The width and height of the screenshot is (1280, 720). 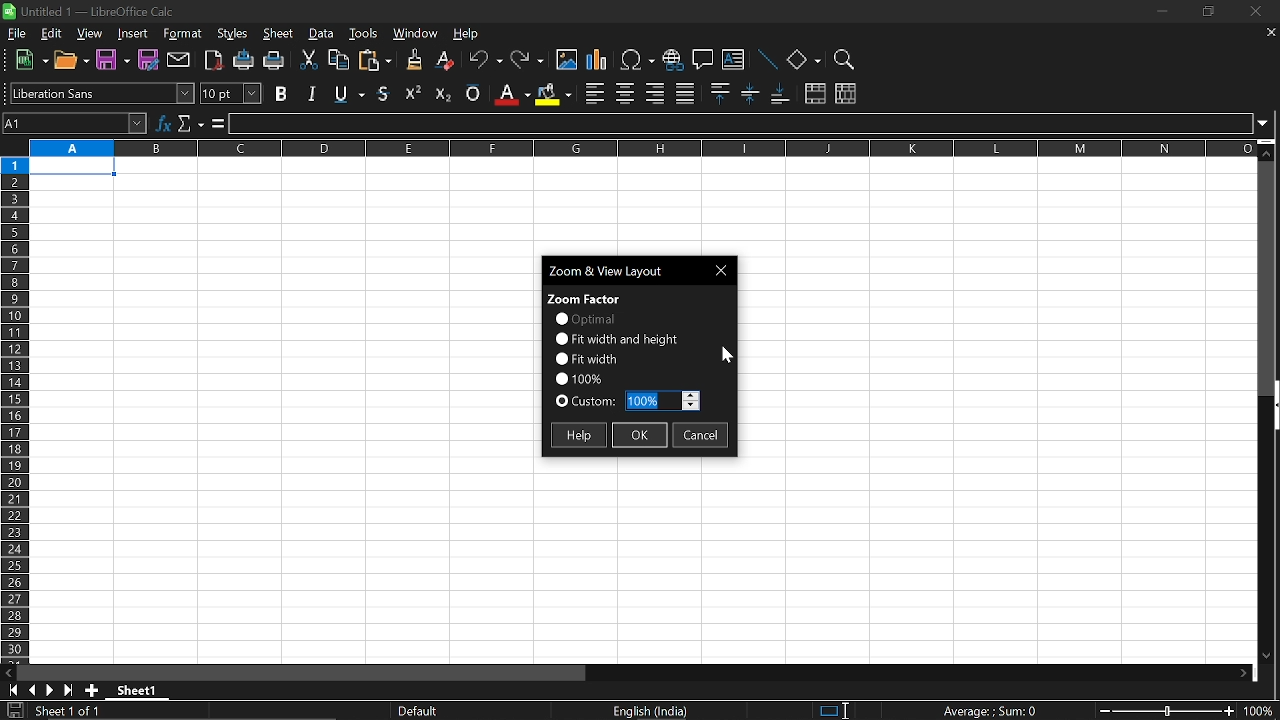 What do you see at coordinates (230, 94) in the screenshot?
I see `text size` at bounding box center [230, 94].